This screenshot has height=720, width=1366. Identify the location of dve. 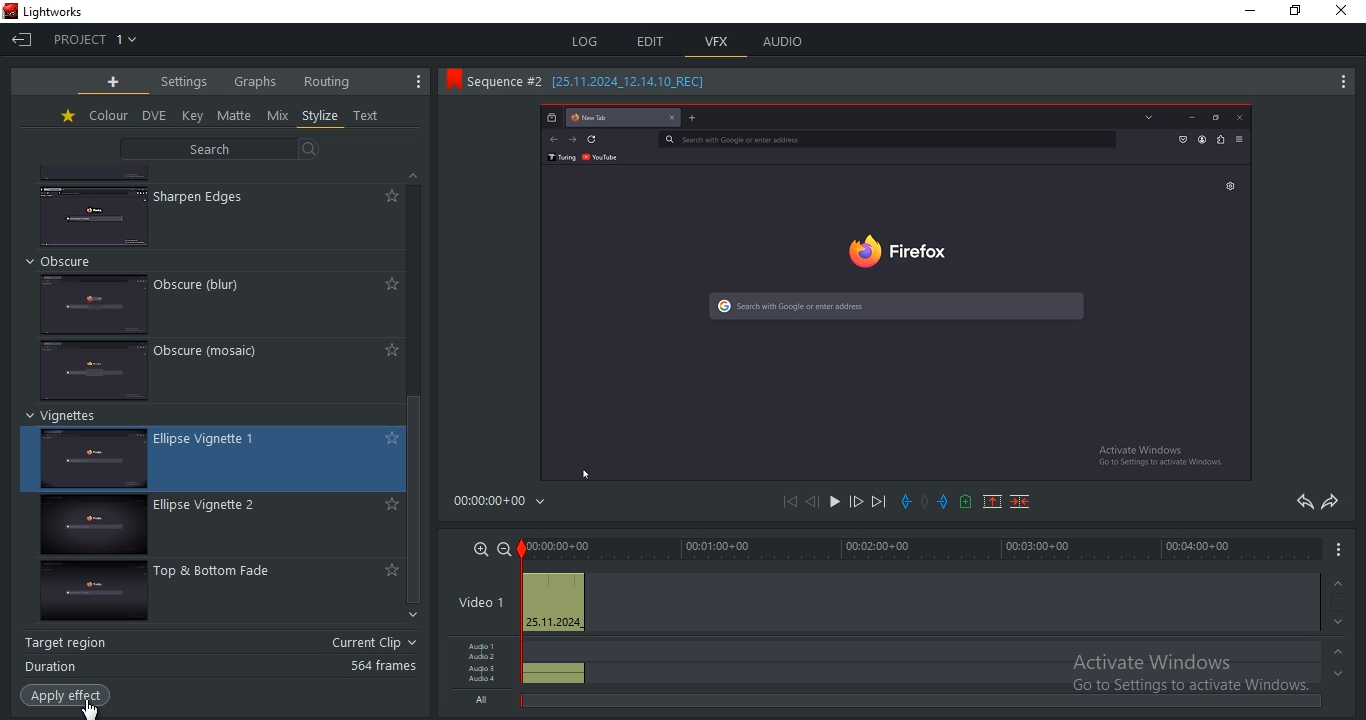
(153, 116).